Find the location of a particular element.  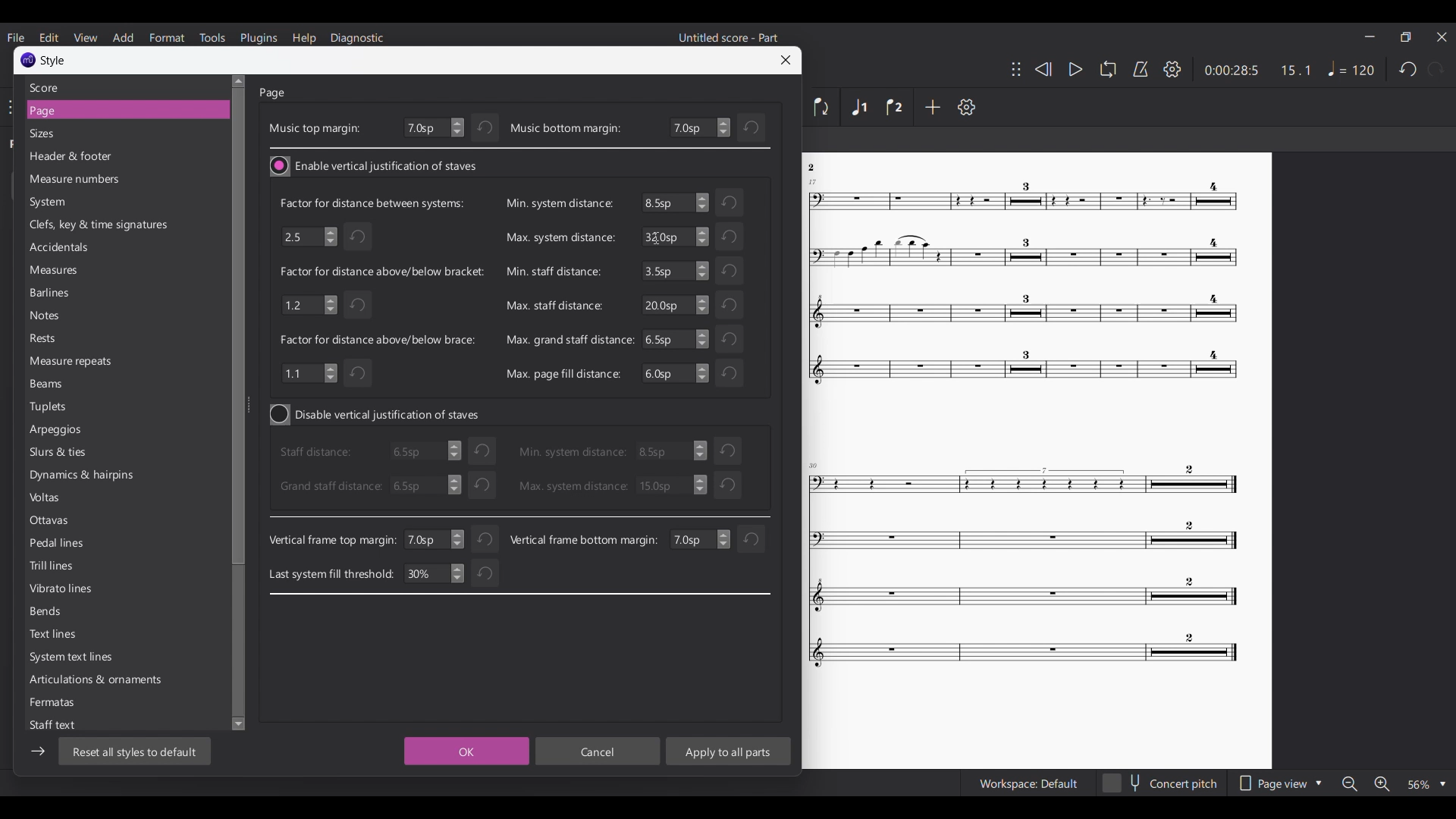

Staff text is located at coordinates (63, 726).